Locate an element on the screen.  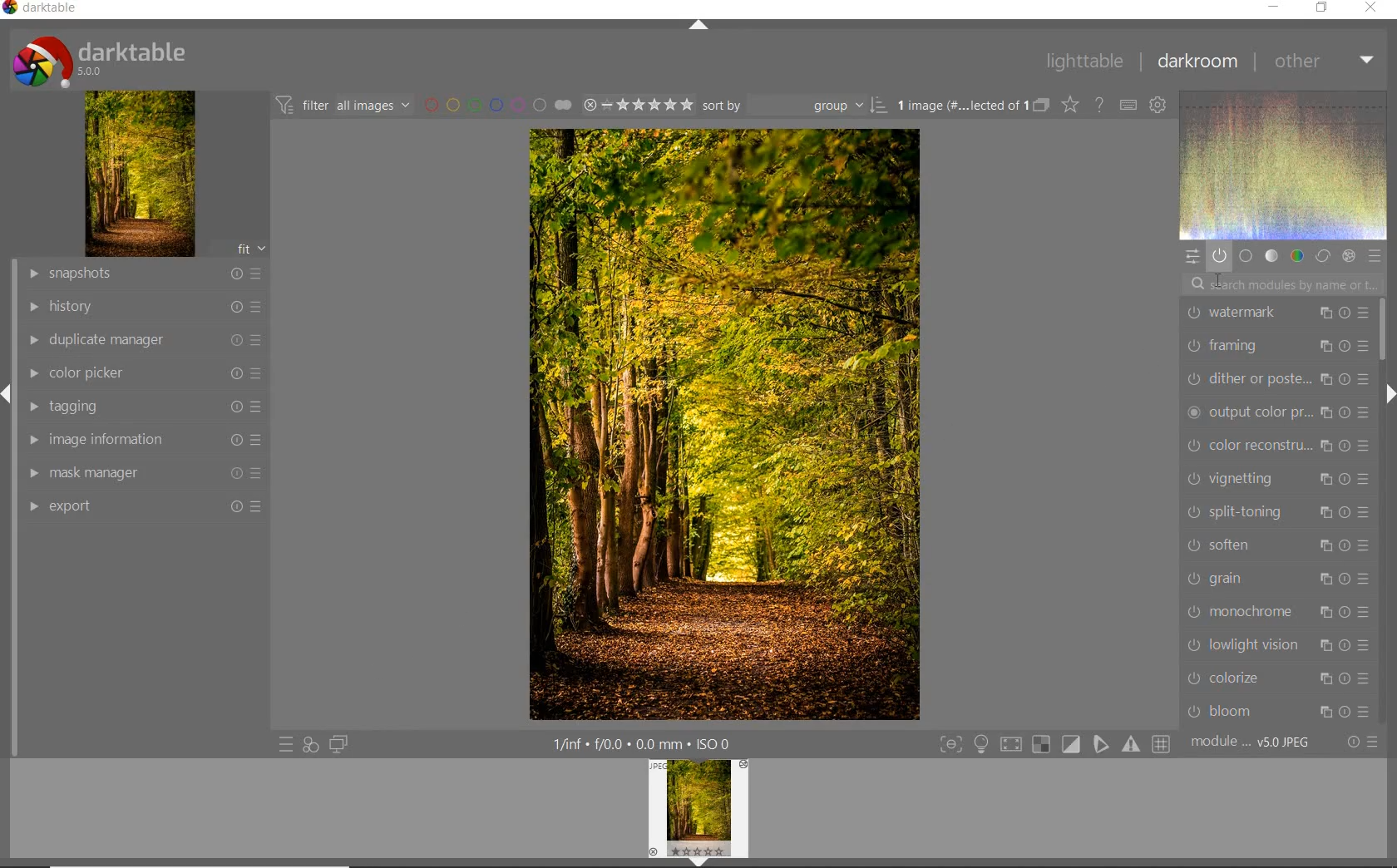
selected image range rating is located at coordinates (638, 106).